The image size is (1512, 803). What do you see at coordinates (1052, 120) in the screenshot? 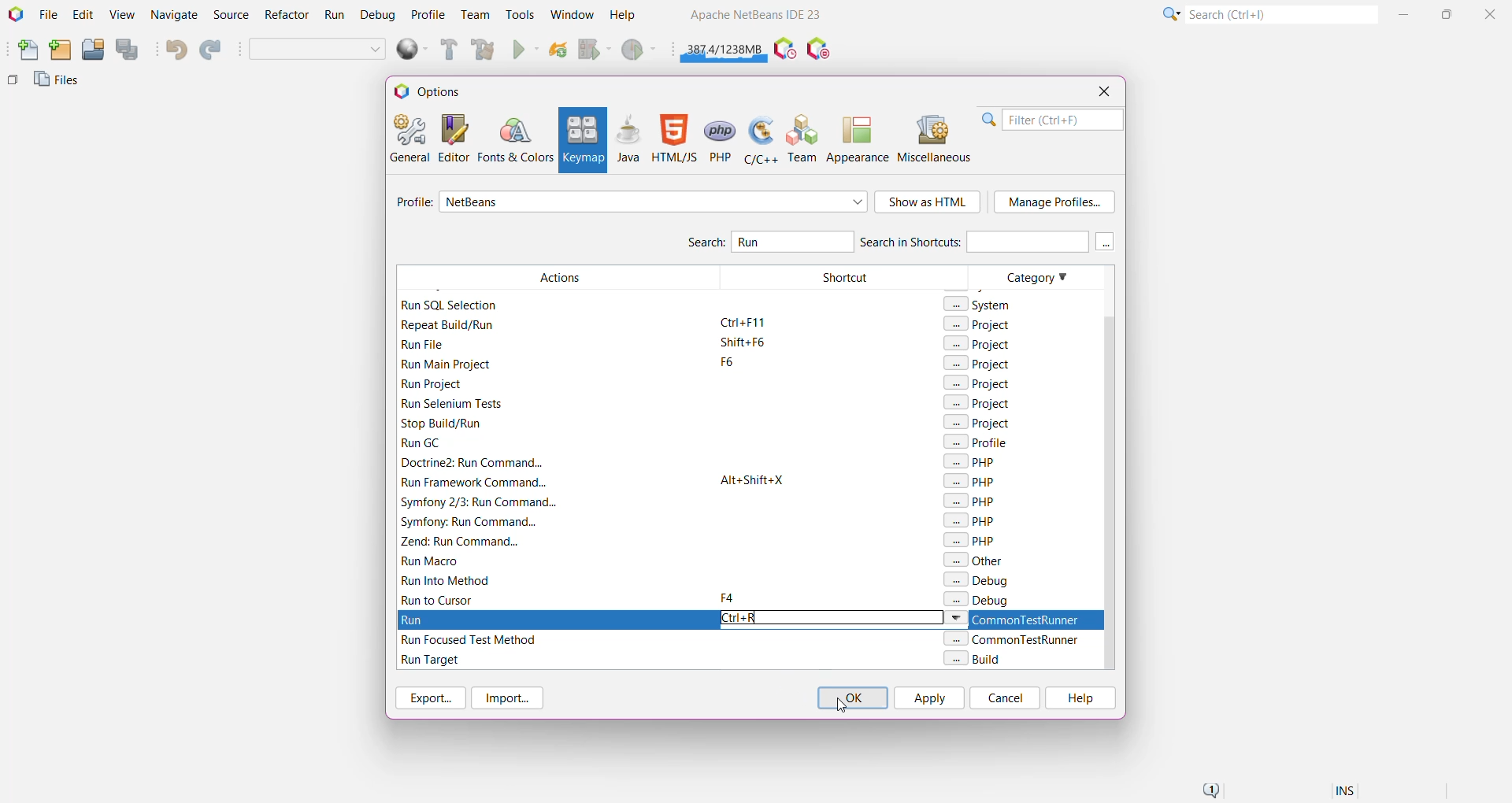
I see `Filter` at bounding box center [1052, 120].